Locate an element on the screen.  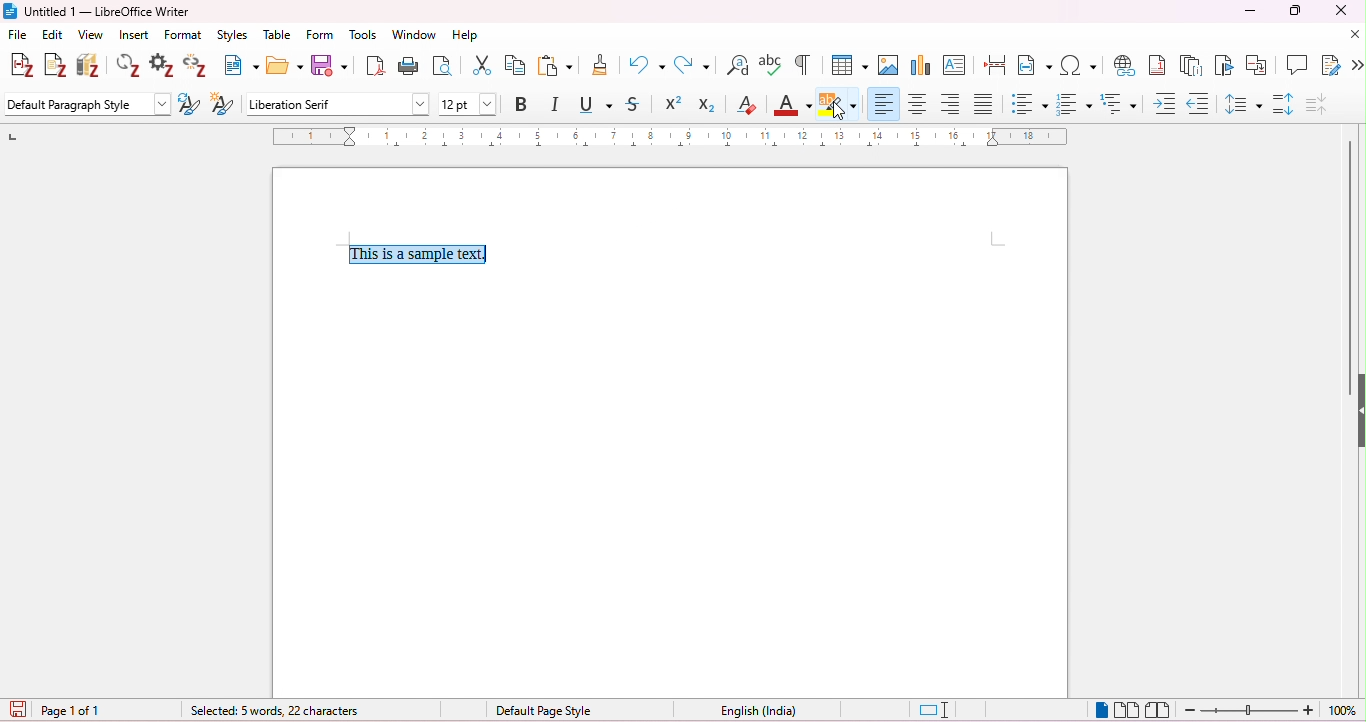
insert table is located at coordinates (847, 64).